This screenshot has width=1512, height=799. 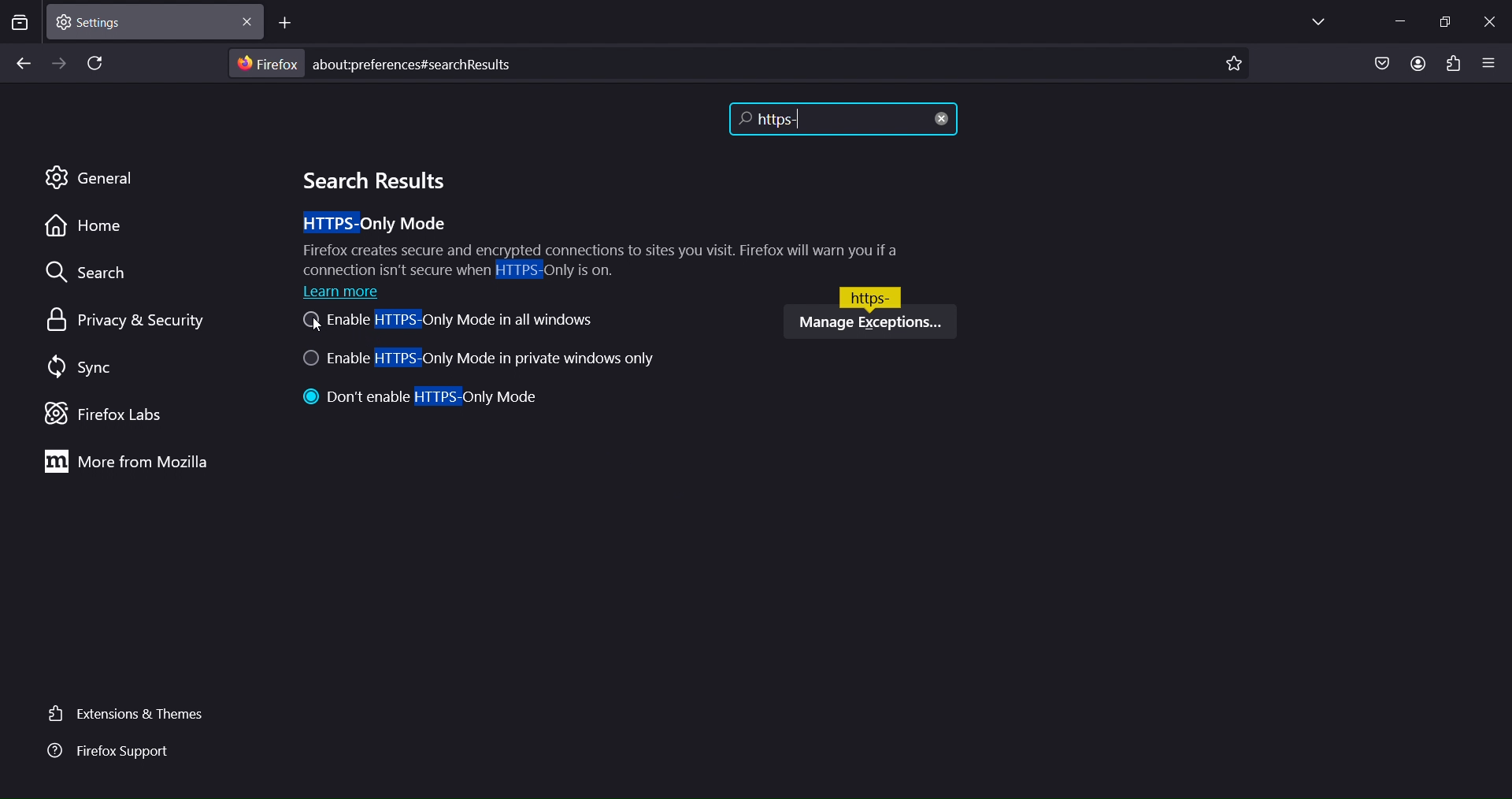 What do you see at coordinates (288, 23) in the screenshot?
I see `new tab` at bounding box center [288, 23].